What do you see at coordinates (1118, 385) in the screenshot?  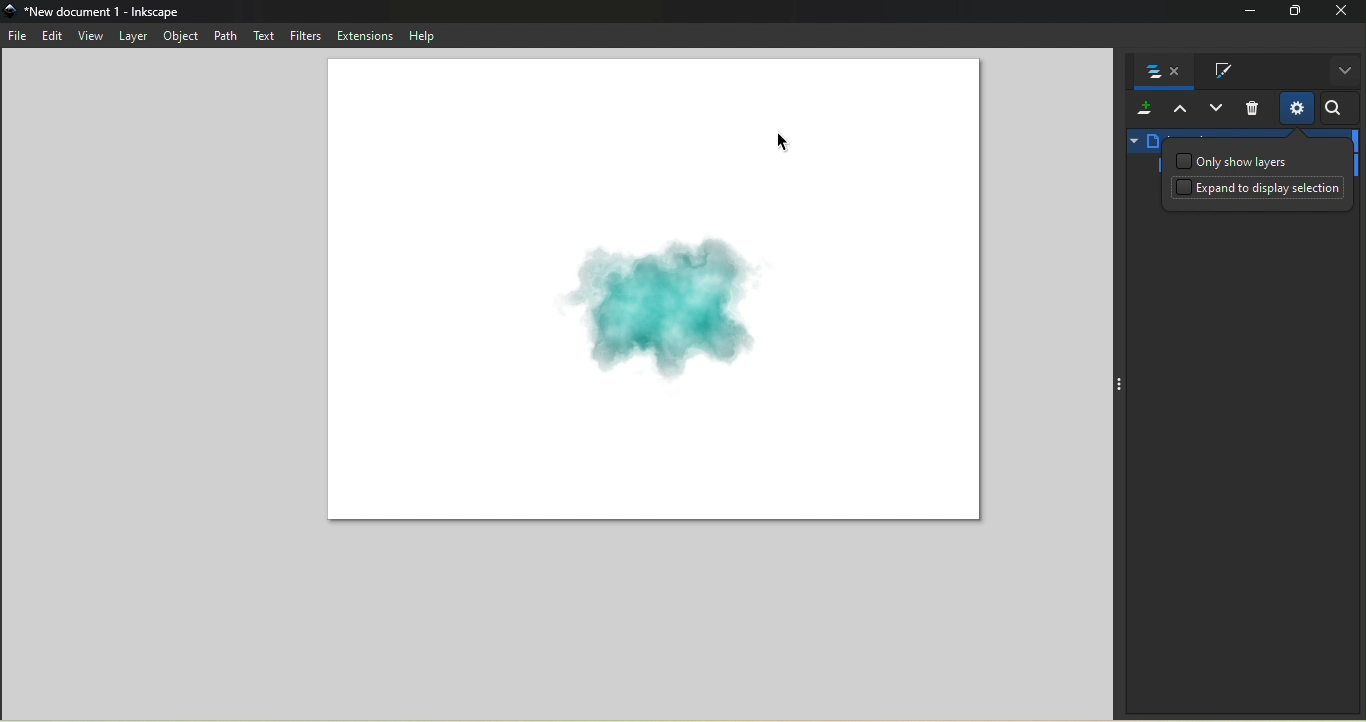 I see `Toggle command palette` at bounding box center [1118, 385].